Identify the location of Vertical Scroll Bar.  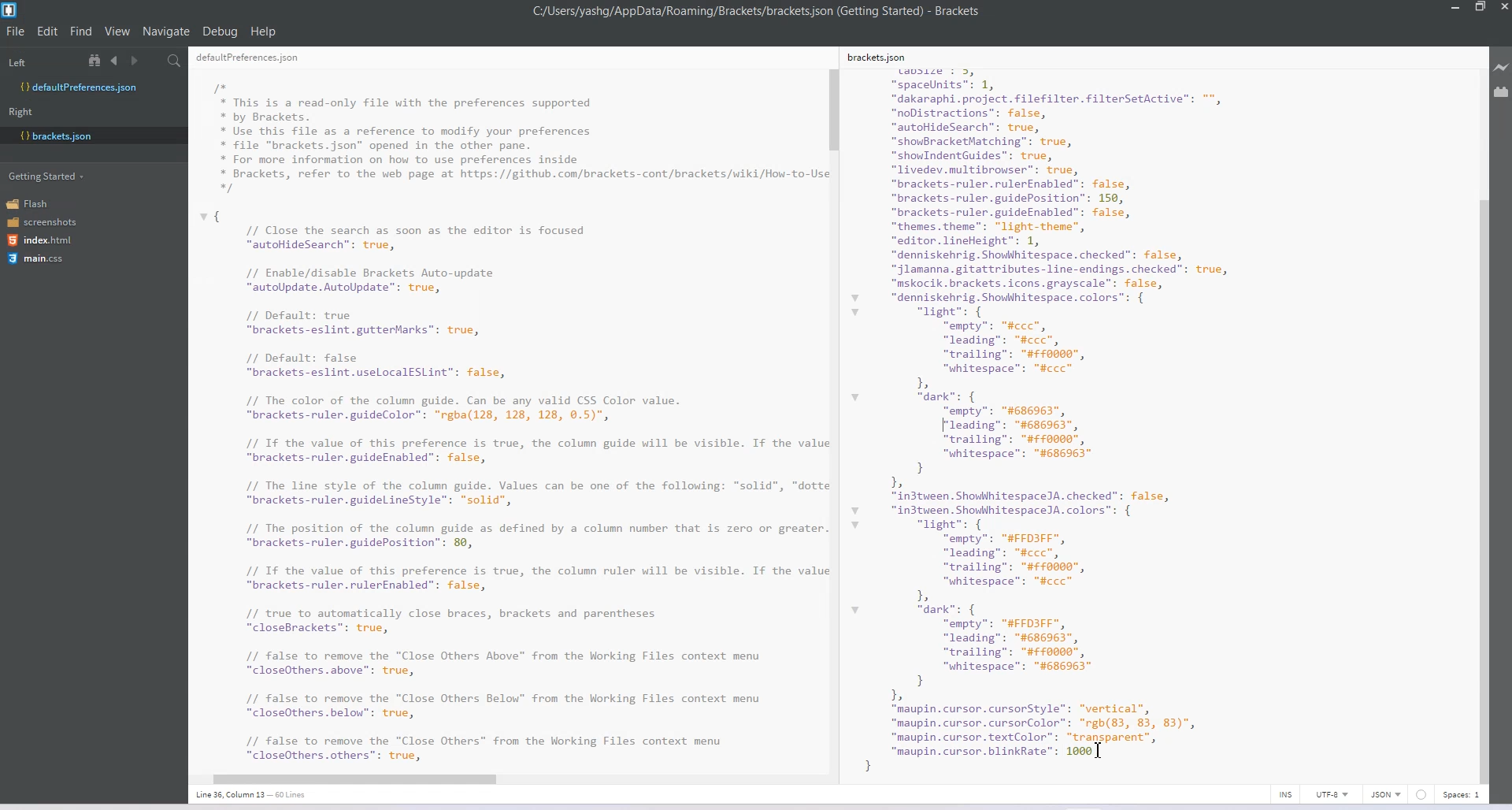
(834, 416).